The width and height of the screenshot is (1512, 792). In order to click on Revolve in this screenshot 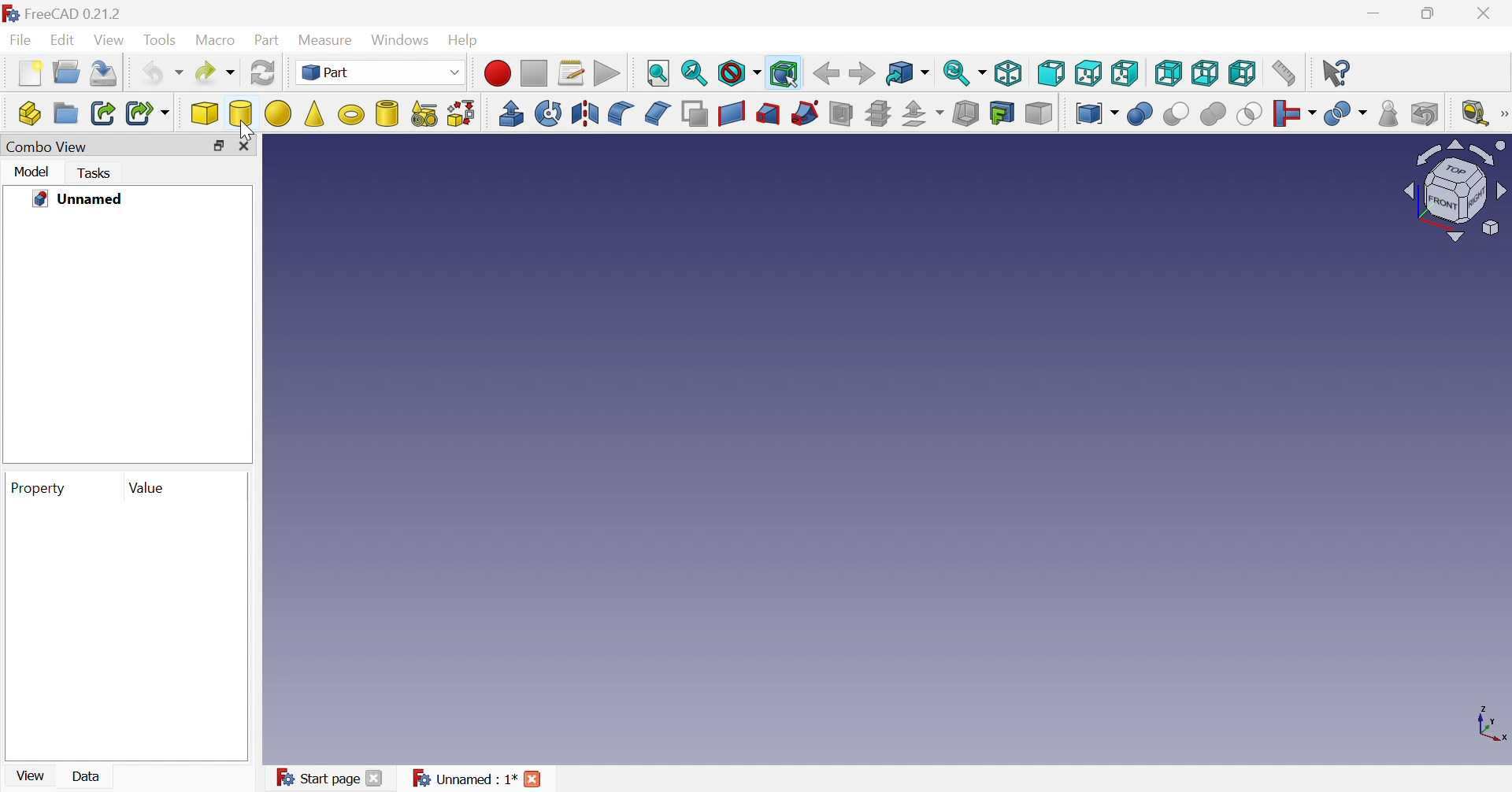, I will do `click(549, 113)`.